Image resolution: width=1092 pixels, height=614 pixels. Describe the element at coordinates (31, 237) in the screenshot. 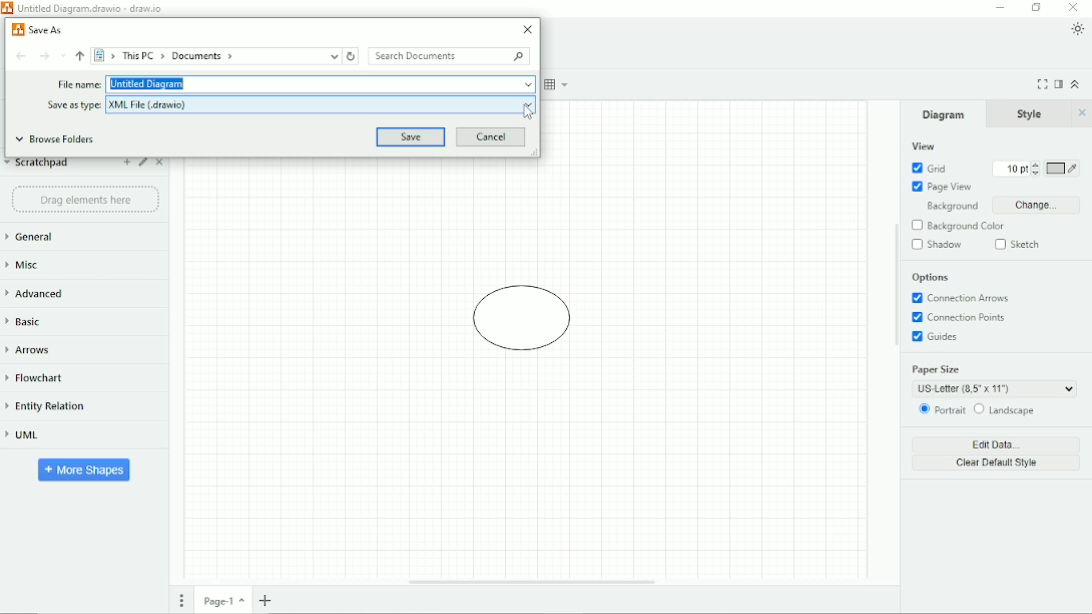

I see `General` at that location.